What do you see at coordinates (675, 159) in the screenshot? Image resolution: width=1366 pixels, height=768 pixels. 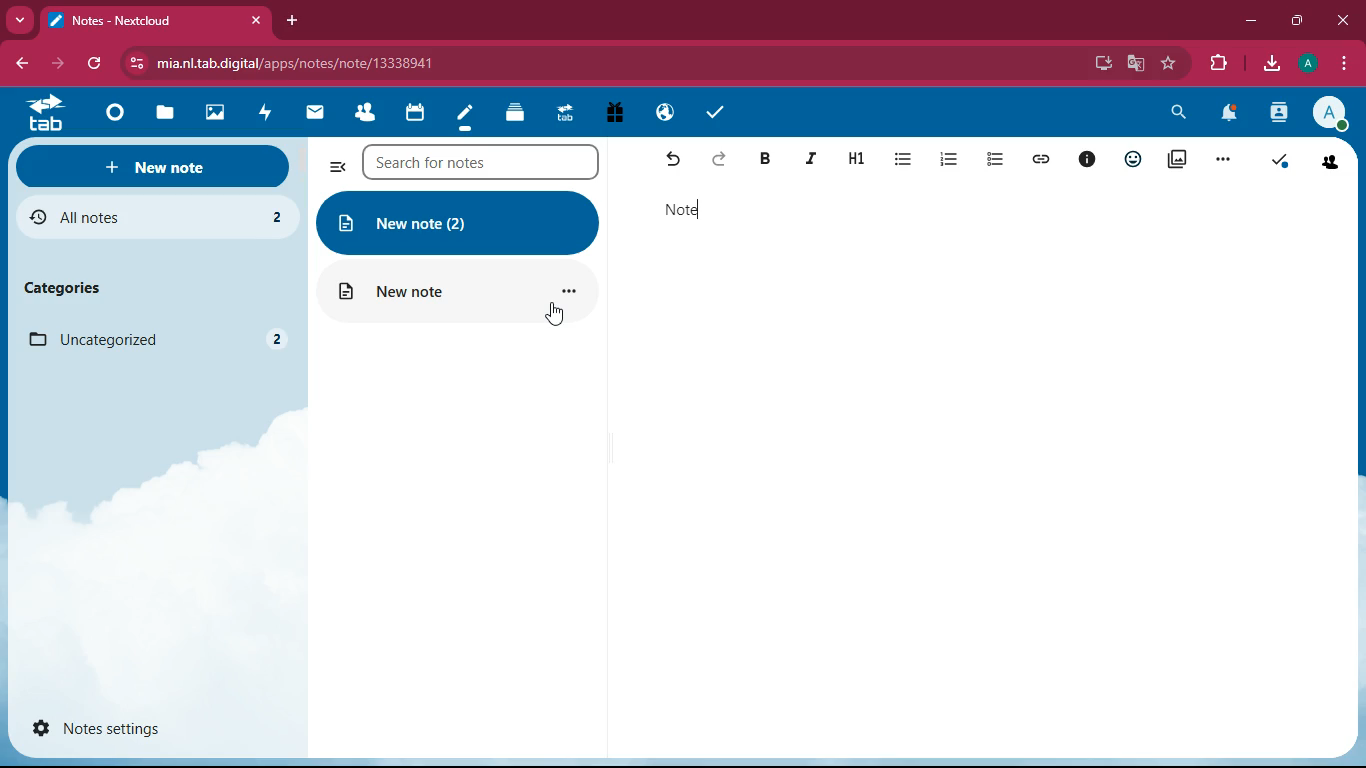 I see `back` at bounding box center [675, 159].